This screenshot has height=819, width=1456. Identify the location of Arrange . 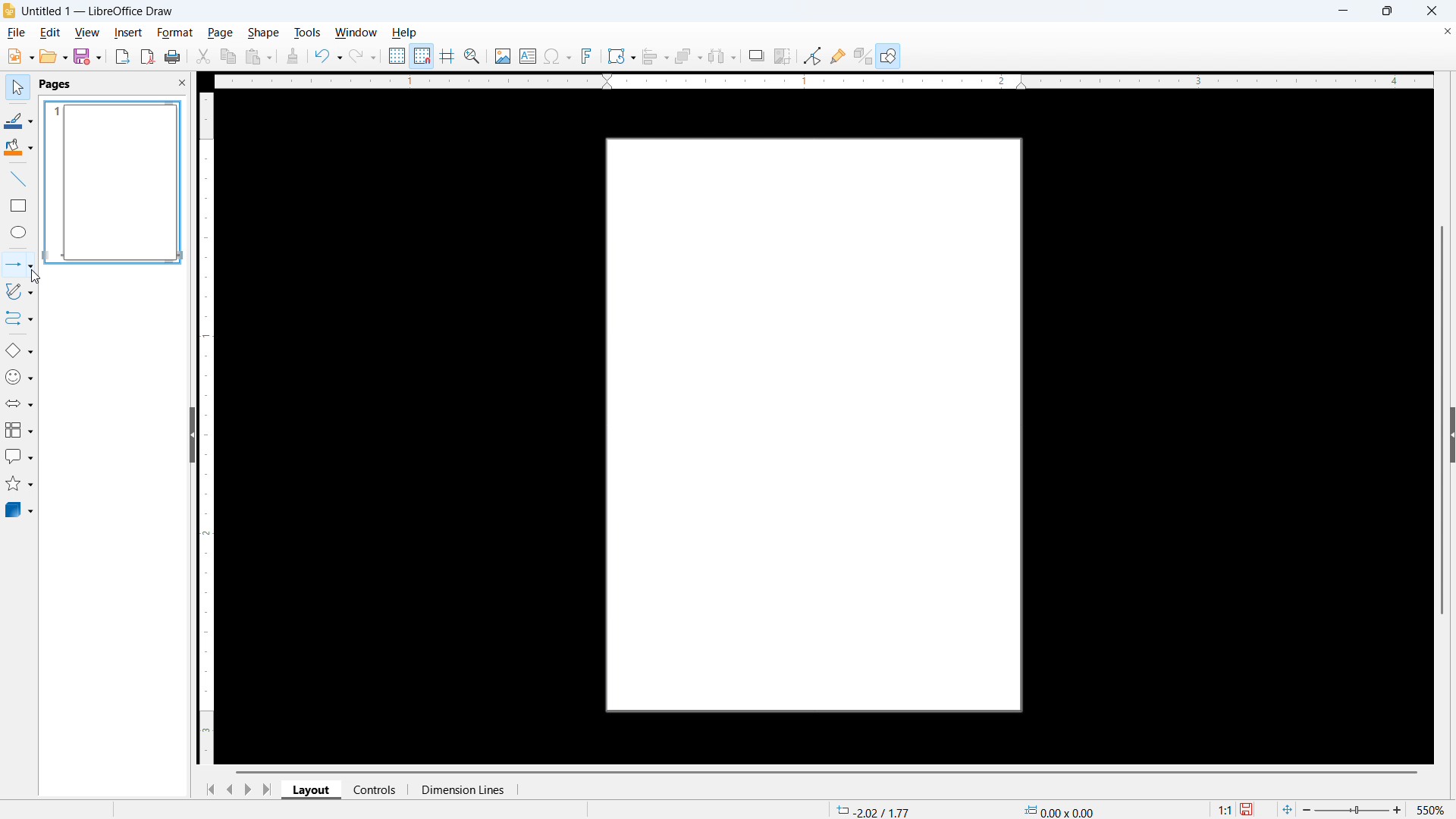
(689, 57).